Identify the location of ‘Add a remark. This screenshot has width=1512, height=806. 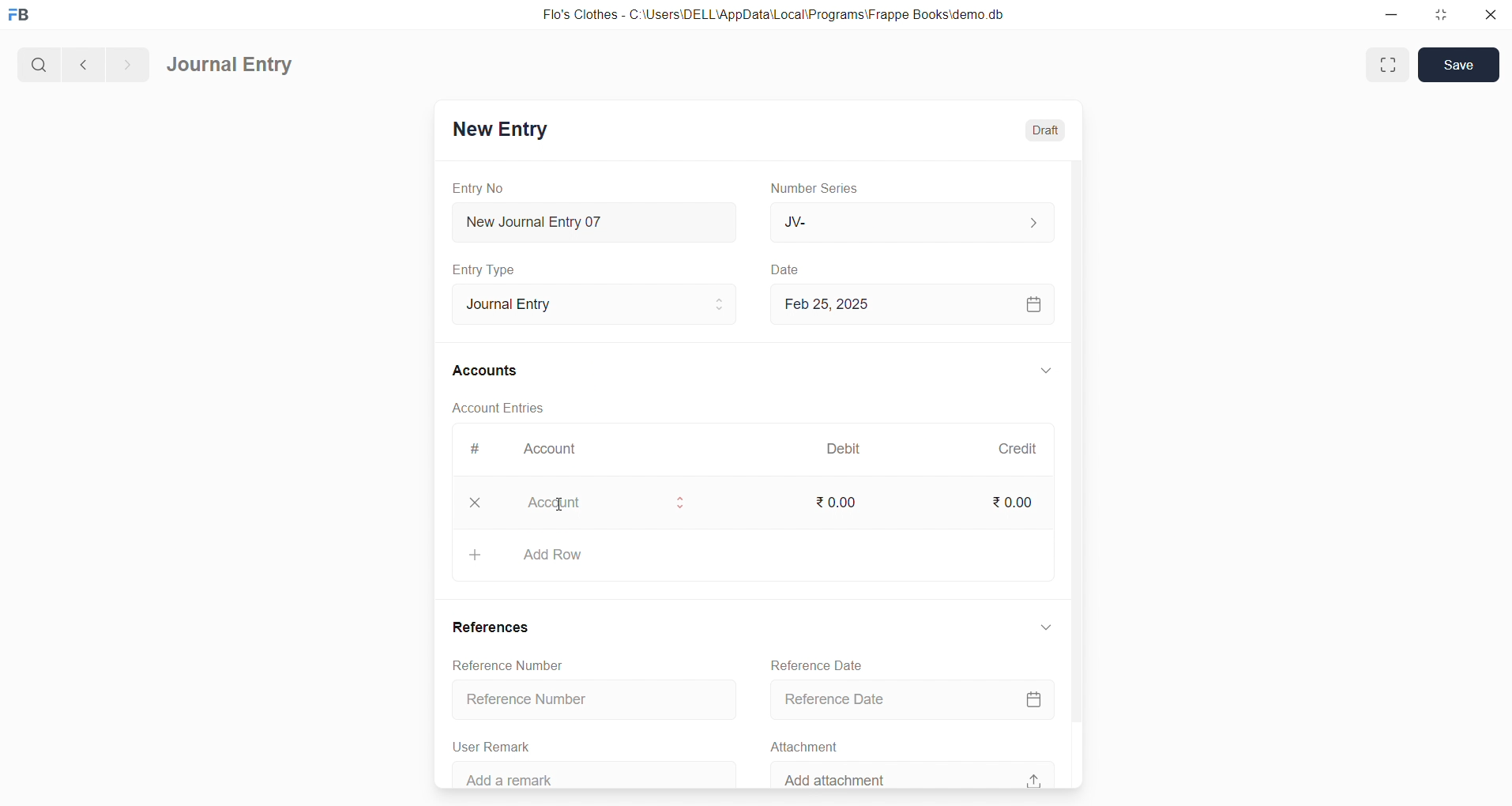
(598, 773).